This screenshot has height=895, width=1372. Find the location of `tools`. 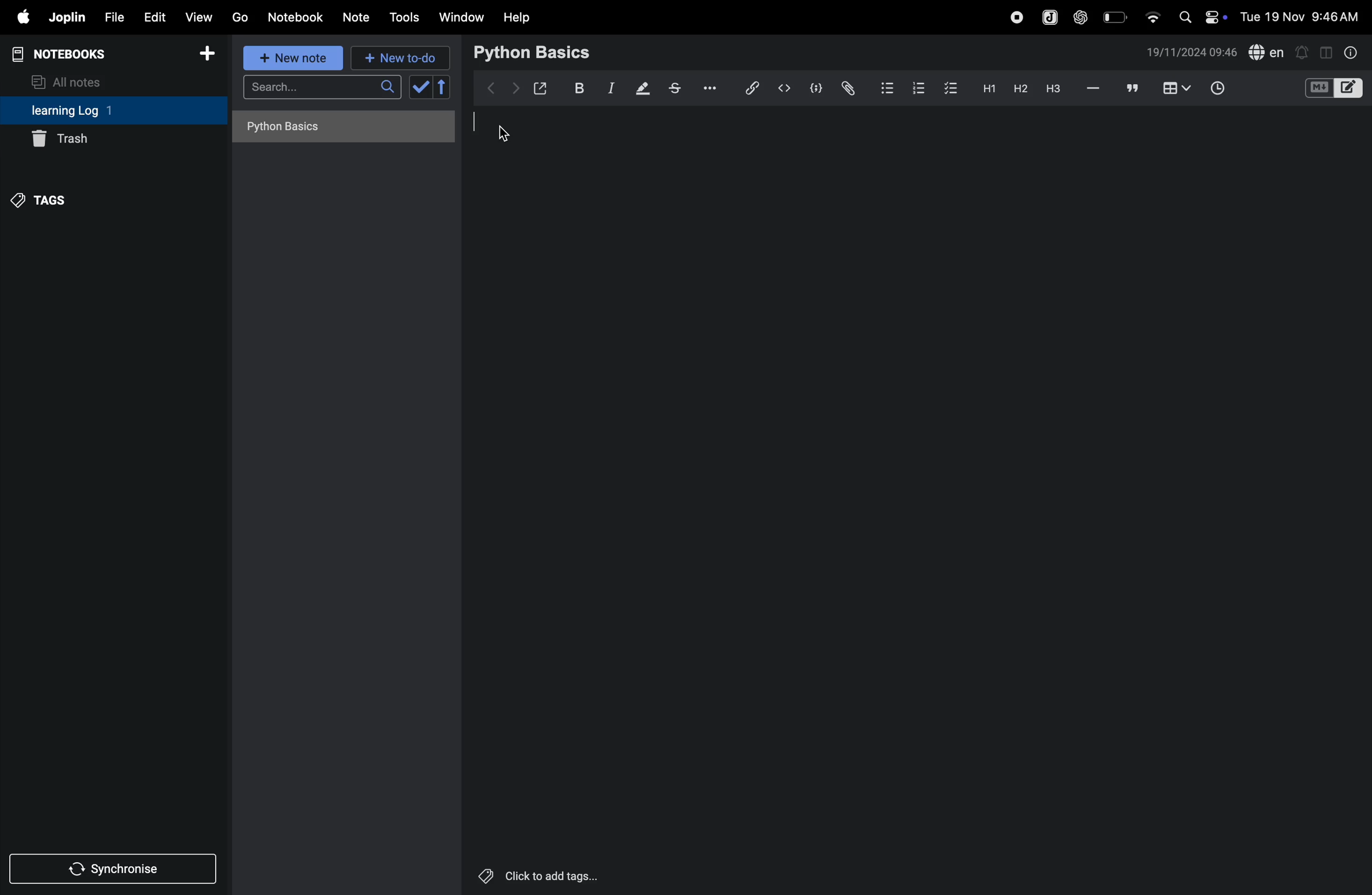

tools is located at coordinates (402, 17).